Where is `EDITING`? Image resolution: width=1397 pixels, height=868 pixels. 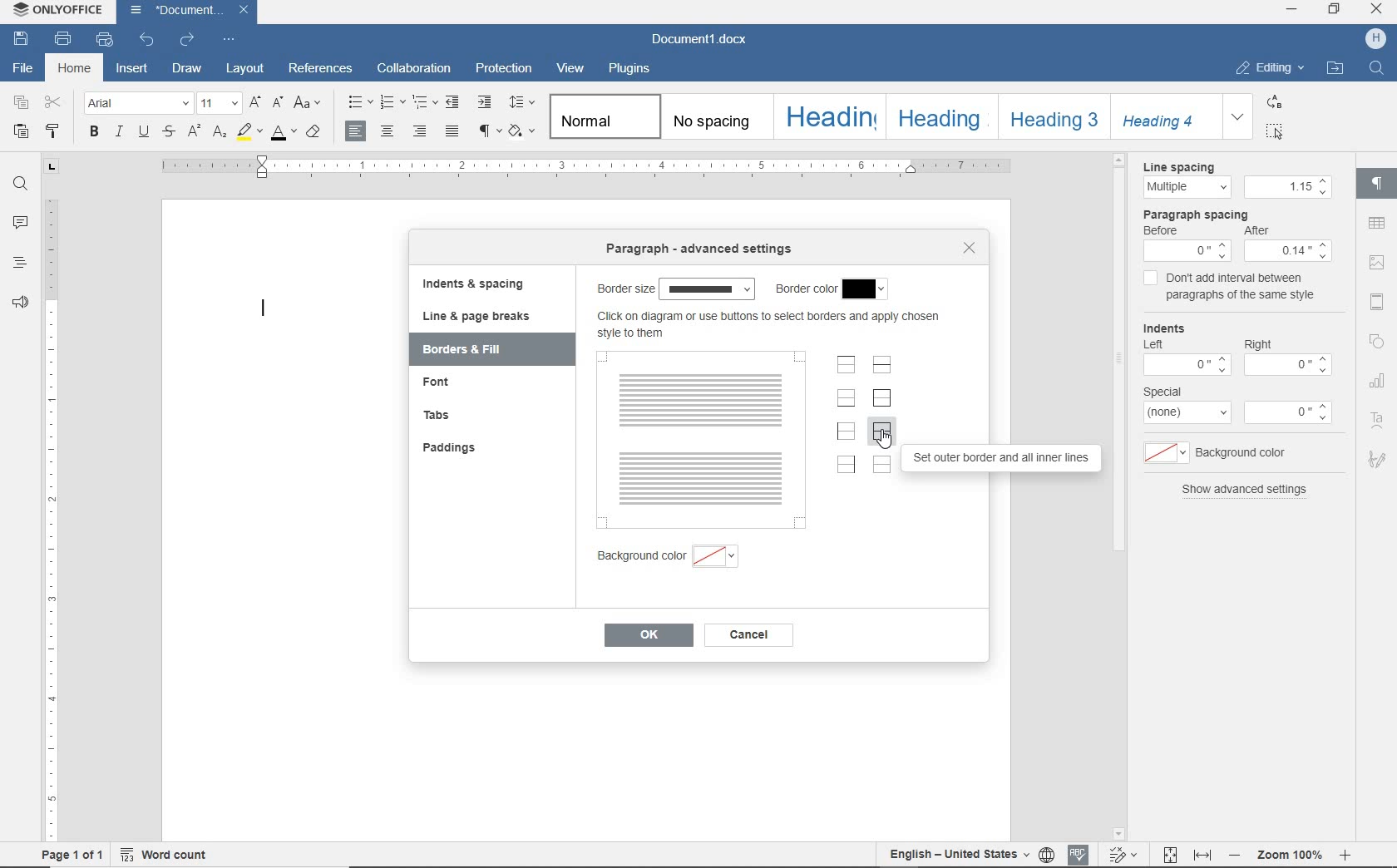
EDITING is located at coordinates (1266, 67).